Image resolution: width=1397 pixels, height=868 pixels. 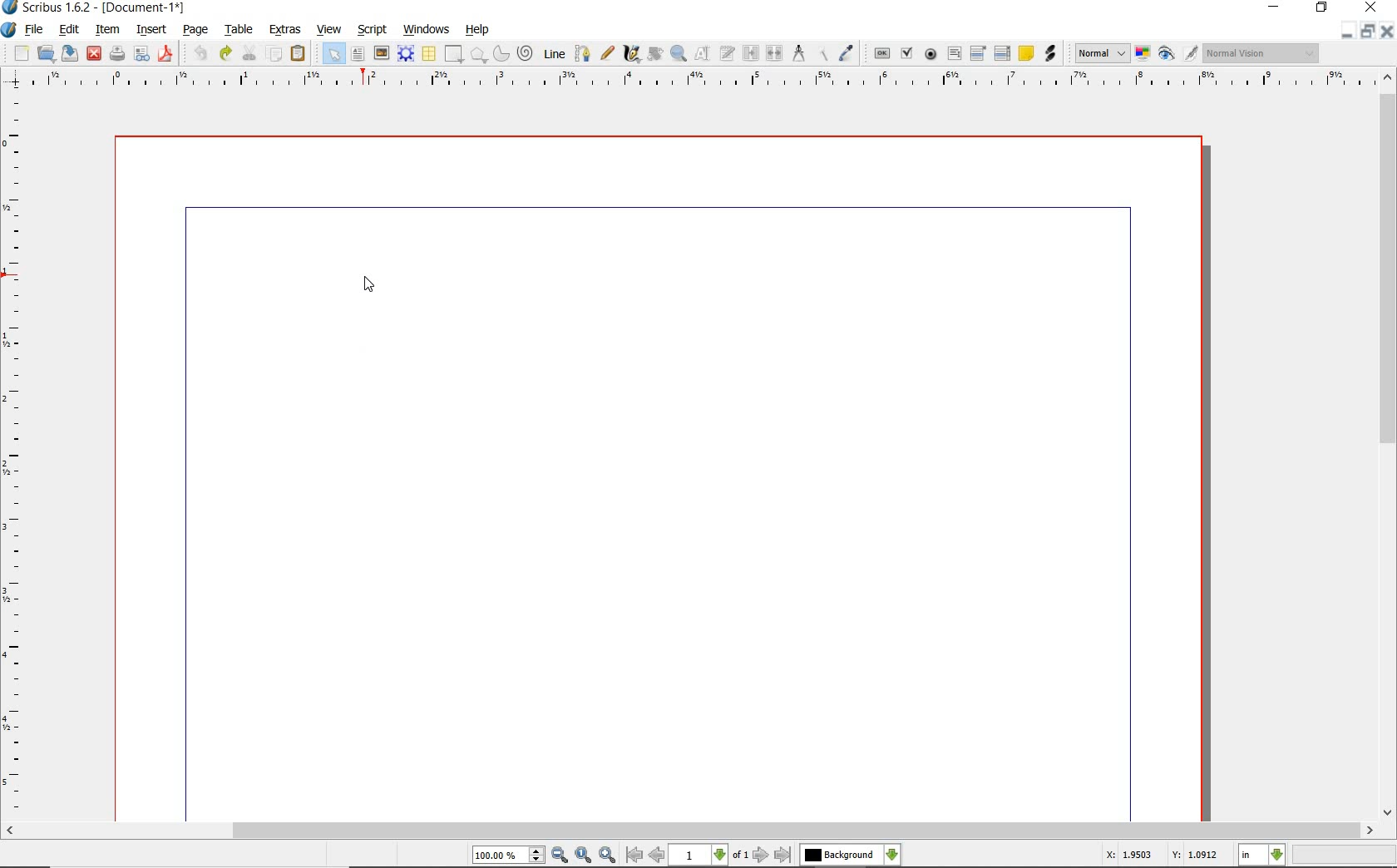 I want to click on undo, so click(x=200, y=53).